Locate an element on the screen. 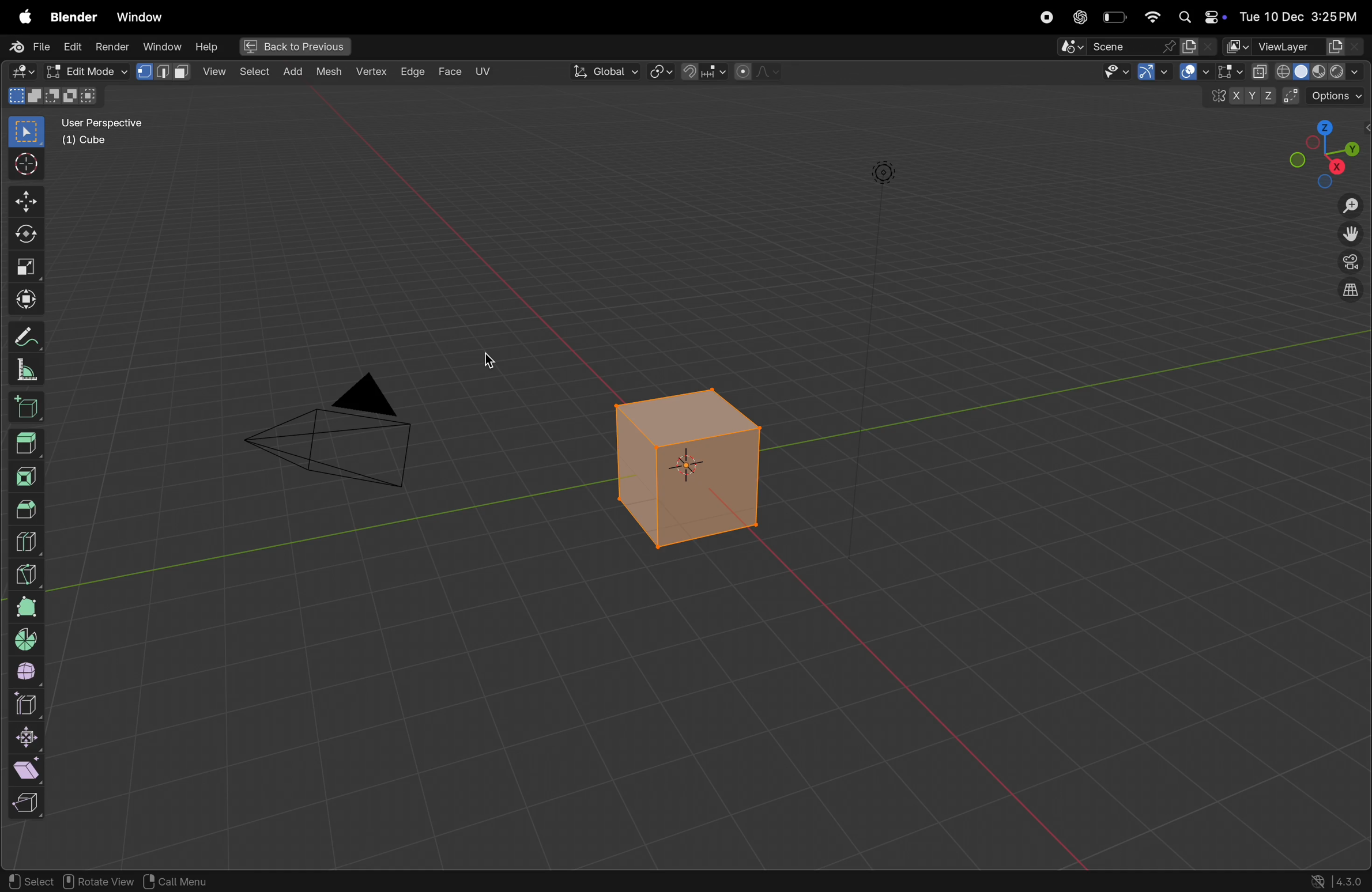 Image resolution: width=1372 pixels, height=892 pixels. camera is located at coordinates (341, 438).